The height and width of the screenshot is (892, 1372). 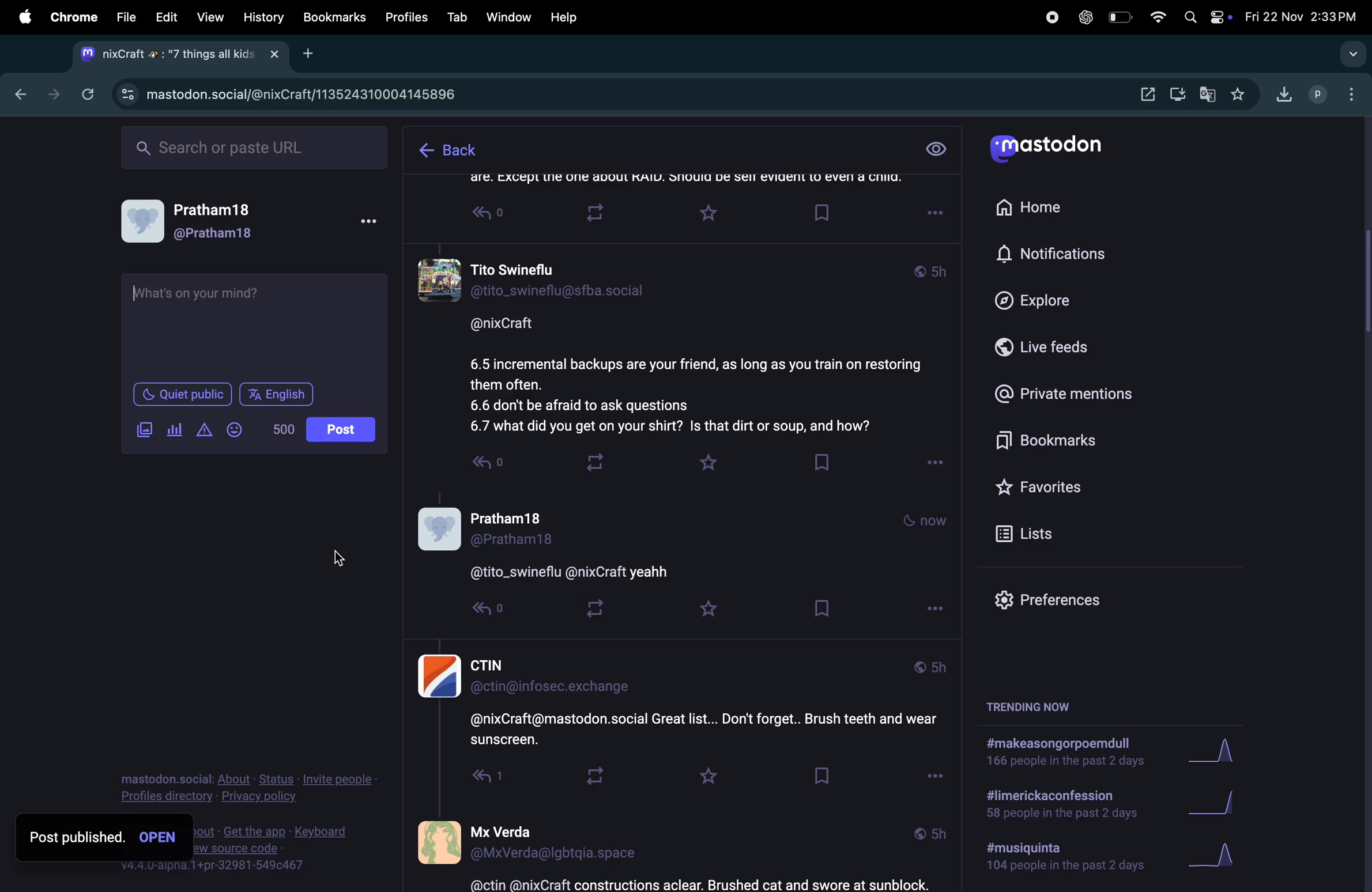 What do you see at coordinates (1077, 394) in the screenshot?
I see `private mentions` at bounding box center [1077, 394].